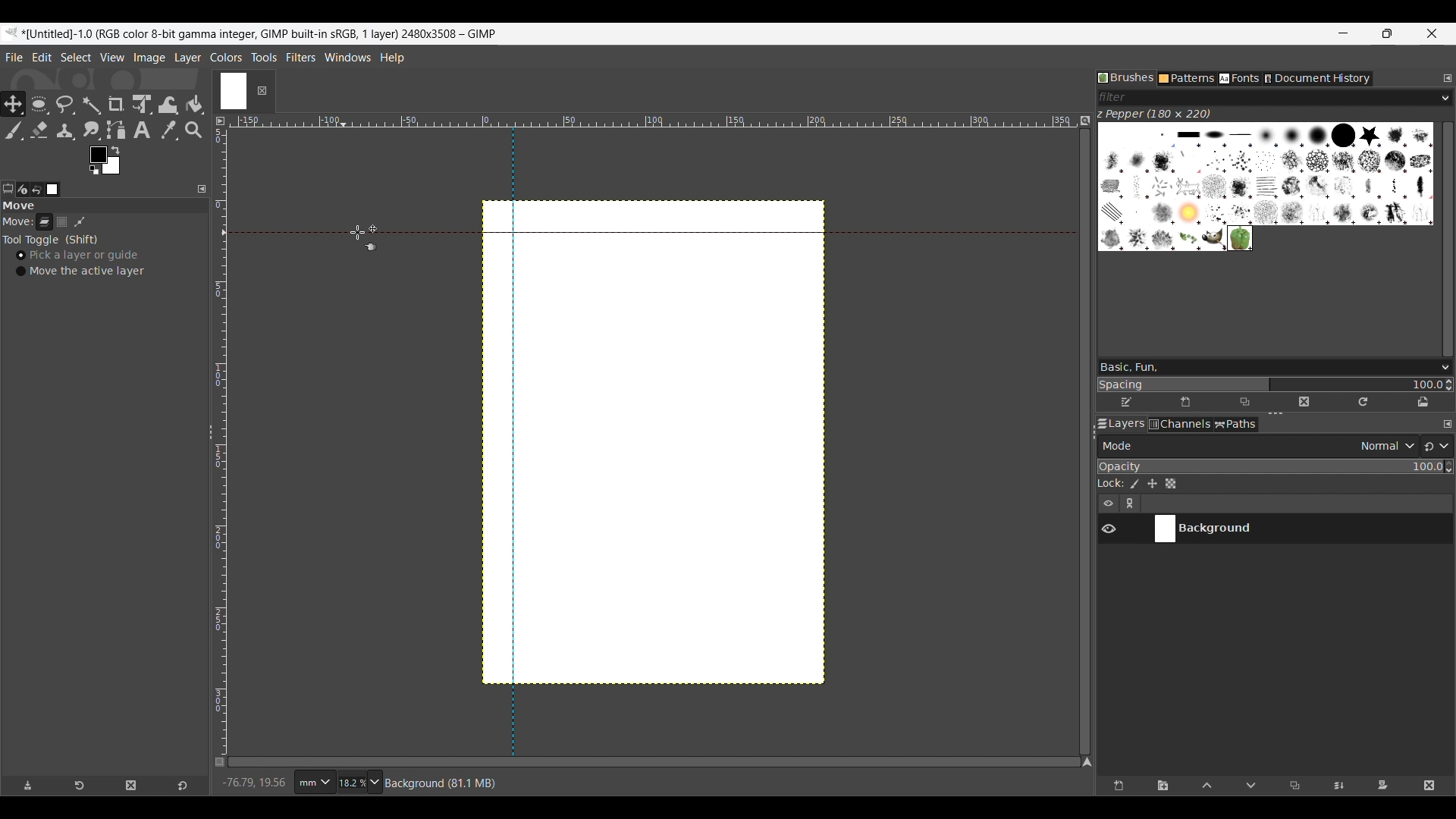 The height and width of the screenshot is (819, 1456). I want to click on Smudge tool, so click(91, 130).